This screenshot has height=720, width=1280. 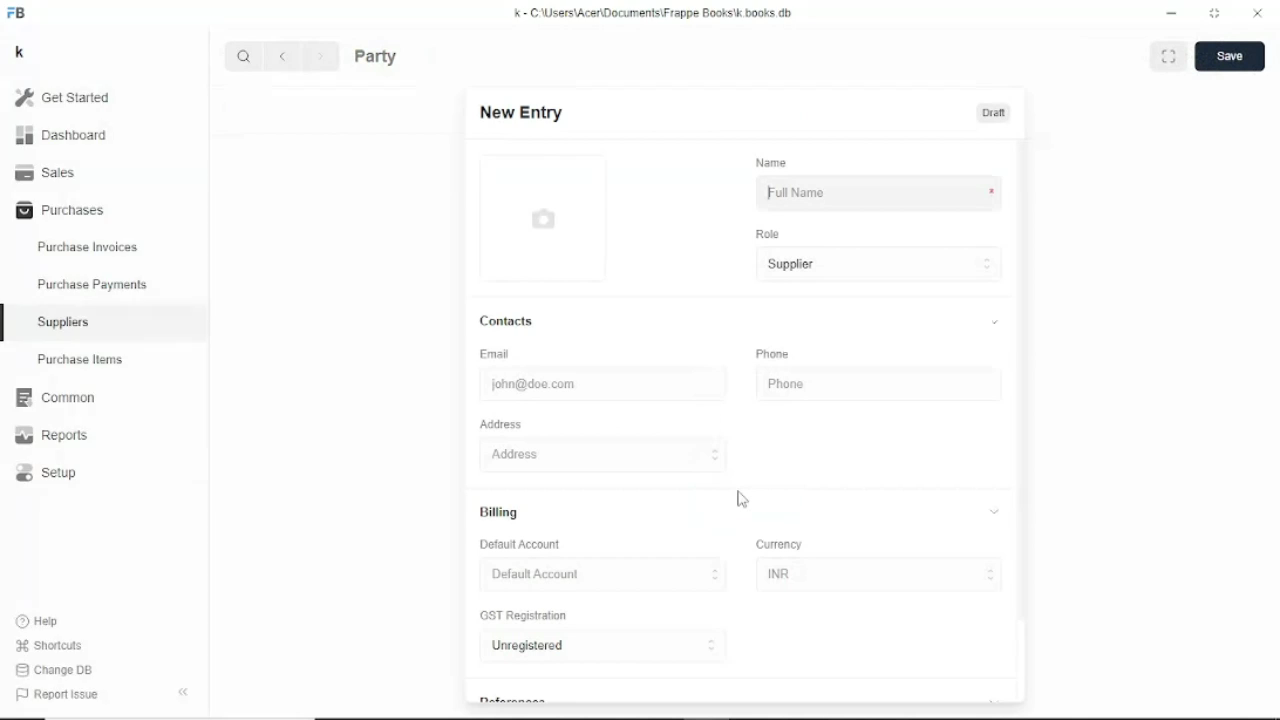 I want to click on INR, so click(x=878, y=577).